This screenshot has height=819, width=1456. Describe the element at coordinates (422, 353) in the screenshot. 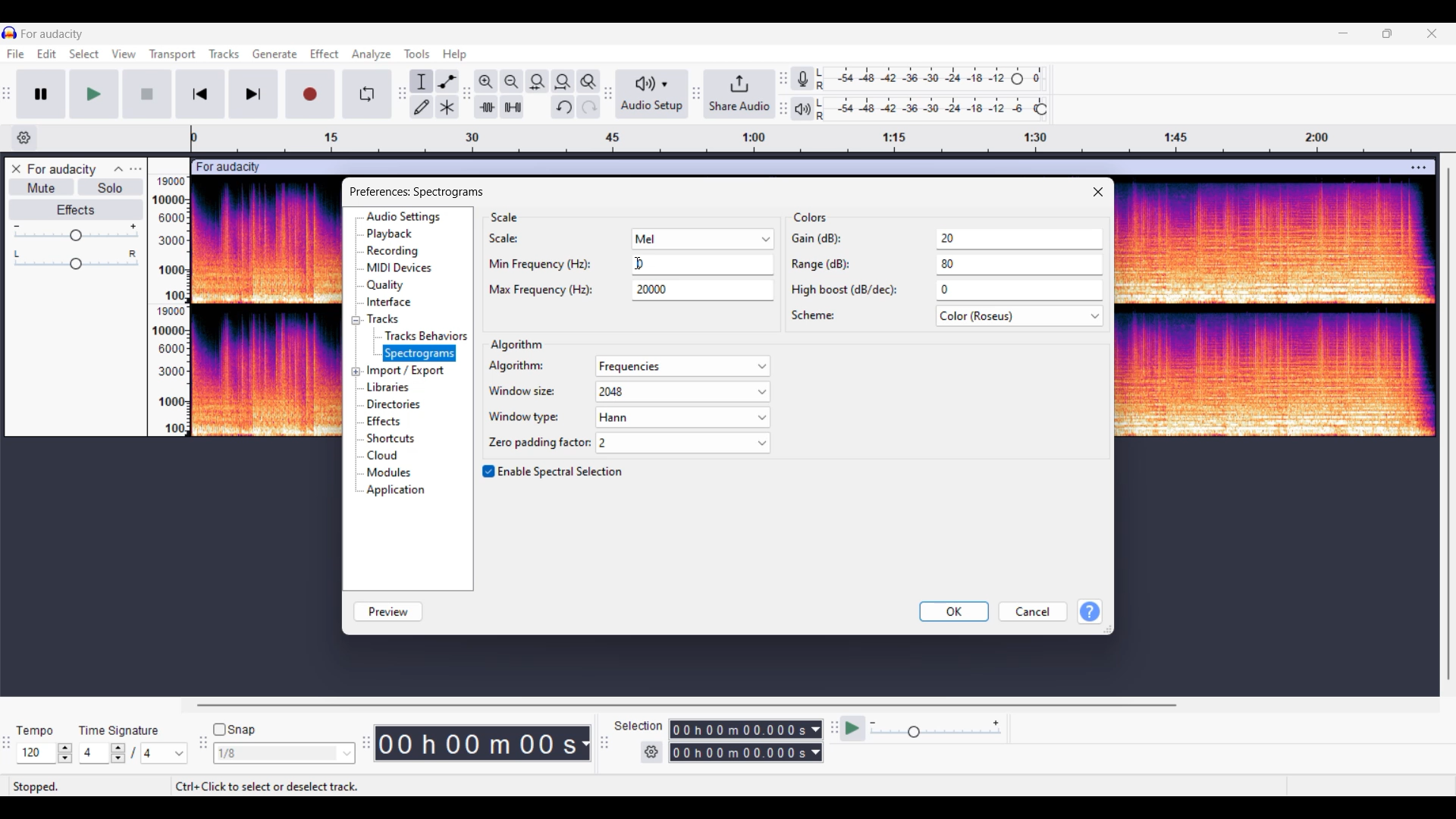

I see `spectrogram` at that location.